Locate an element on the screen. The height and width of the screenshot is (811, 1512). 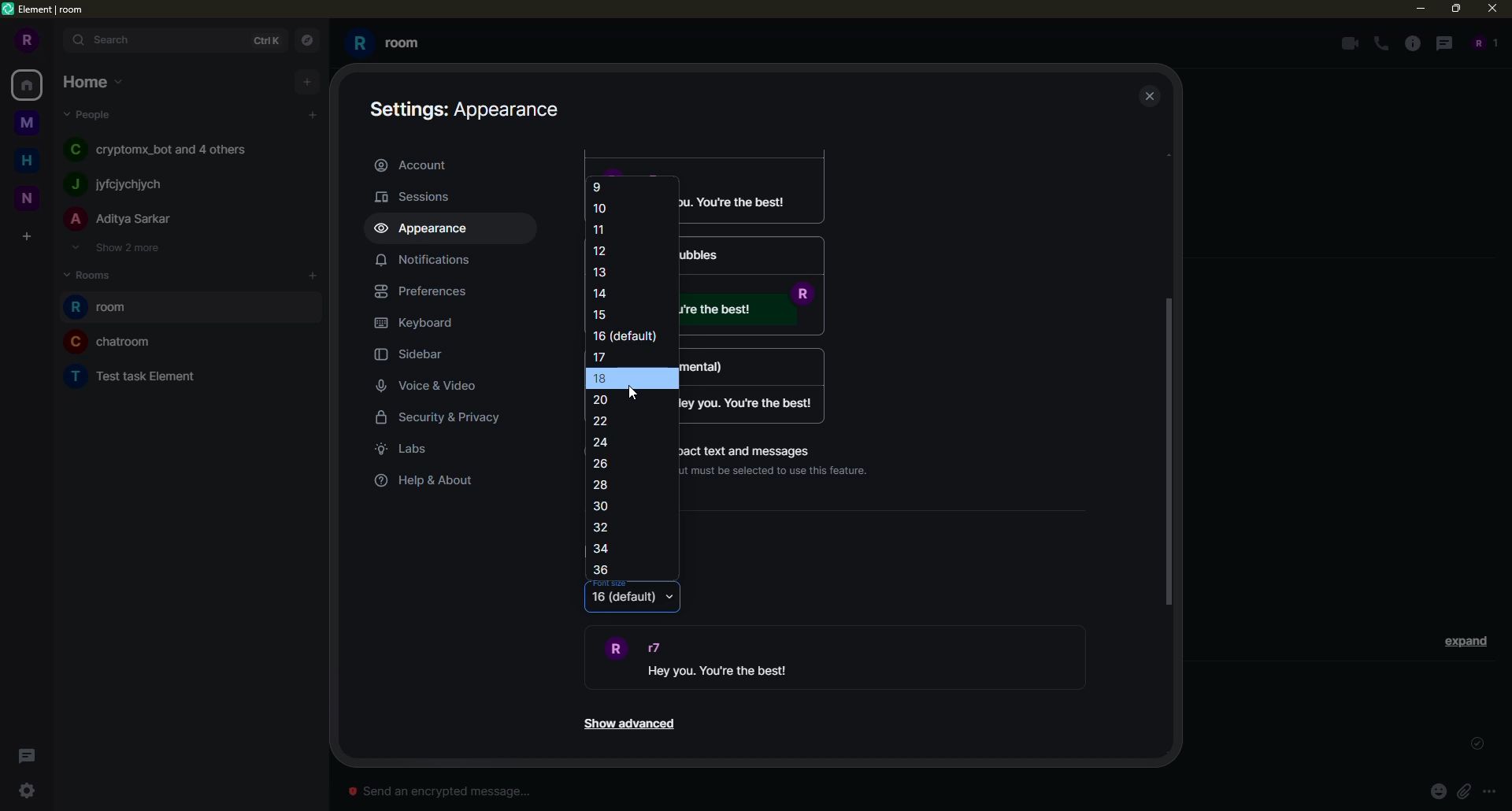
‘Show compact text and messages is located at coordinates (754, 448).